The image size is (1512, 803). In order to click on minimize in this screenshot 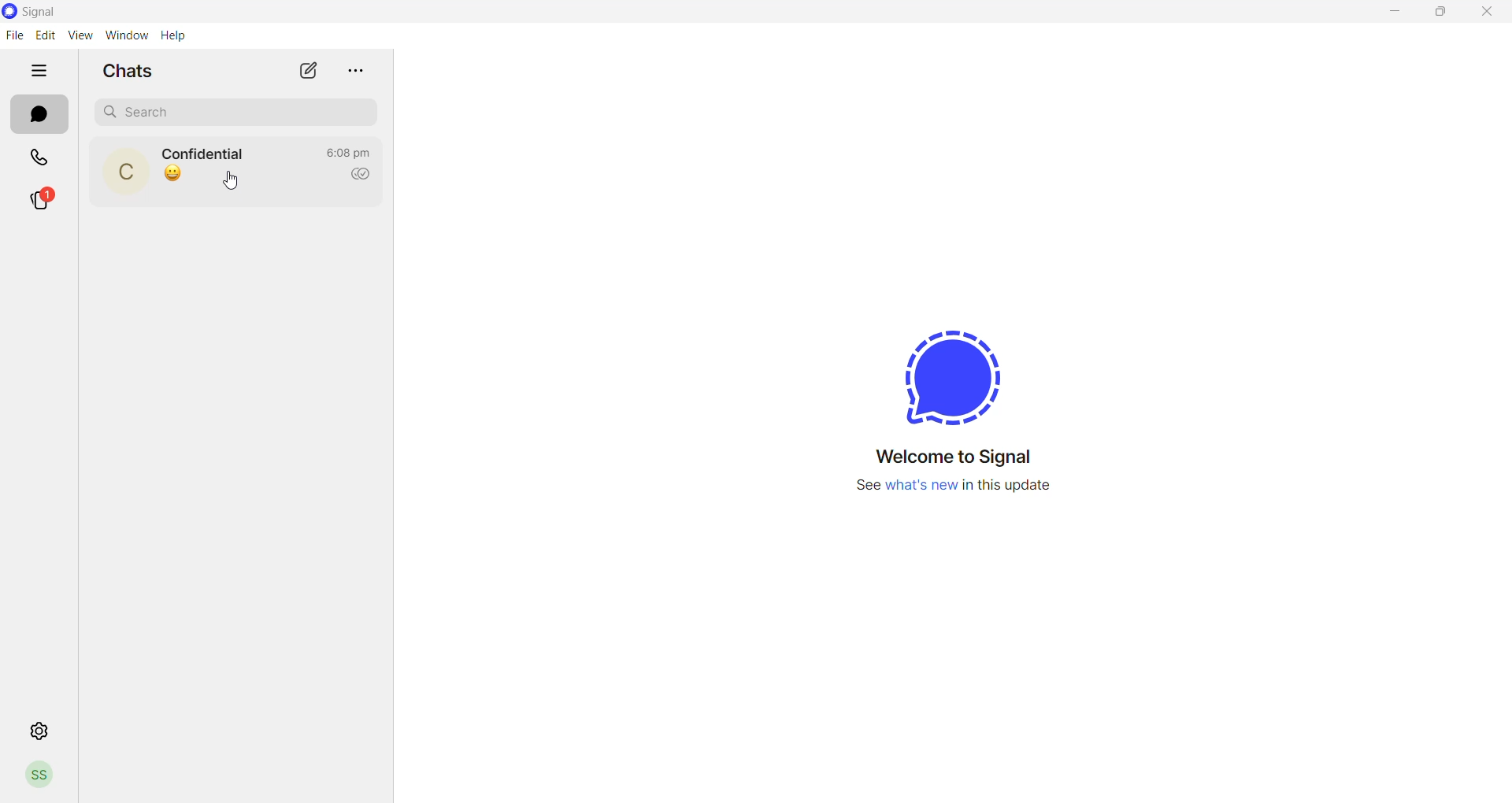, I will do `click(1395, 13)`.